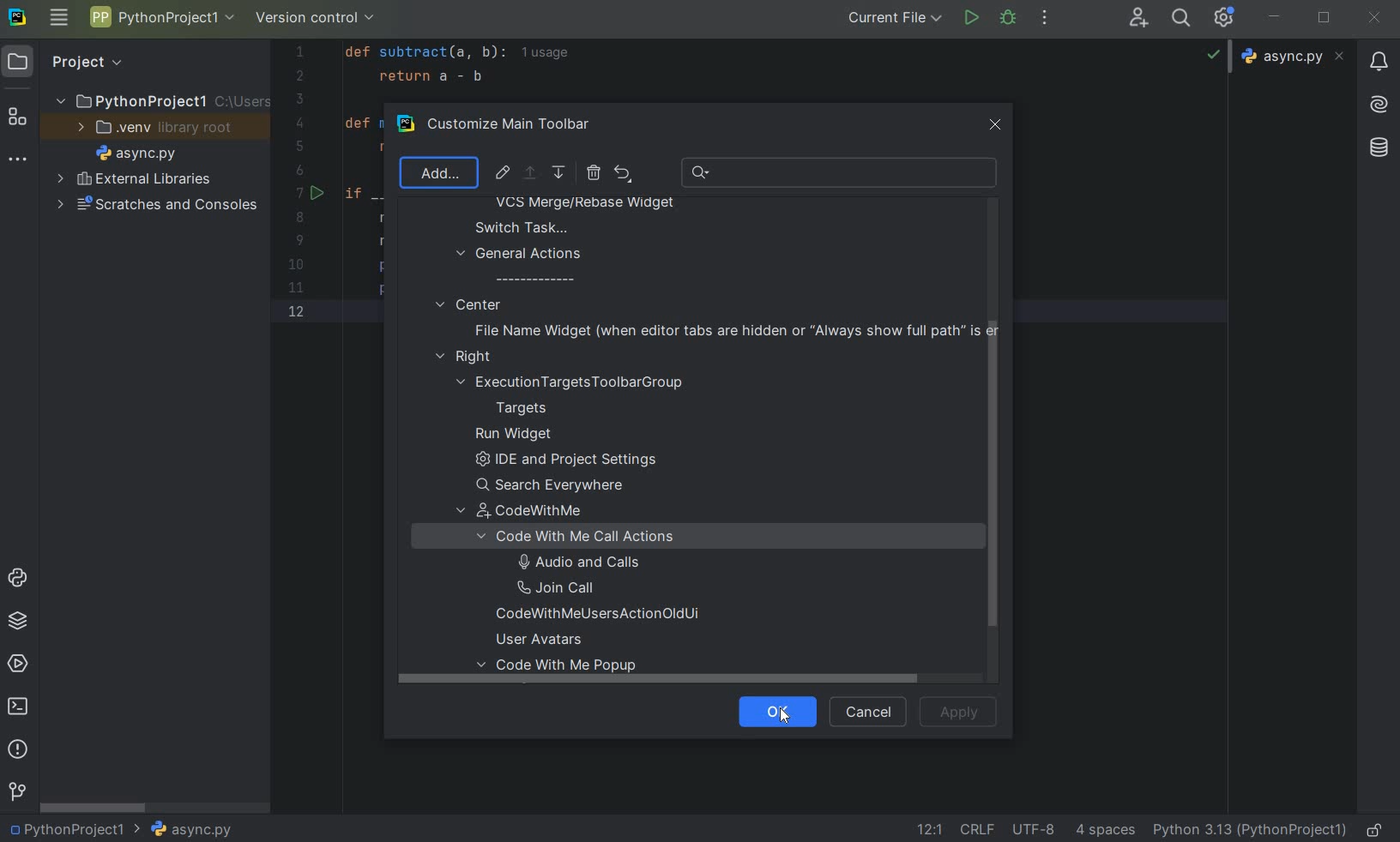 This screenshot has height=842, width=1400. I want to click on RECENT SEARCH, so click(841, 172).